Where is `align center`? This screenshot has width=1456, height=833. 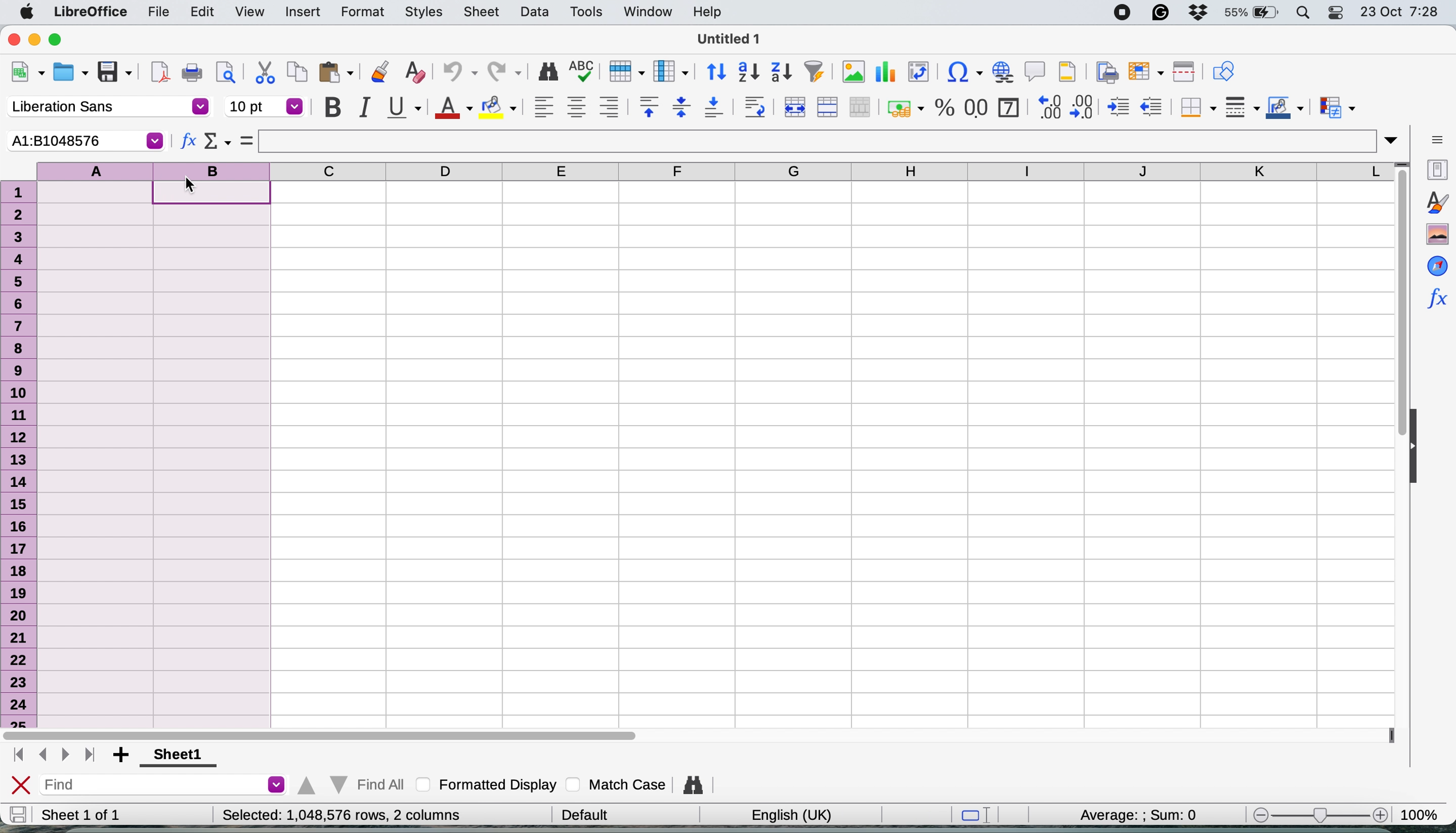 align center is located at coordinates (576, 106).